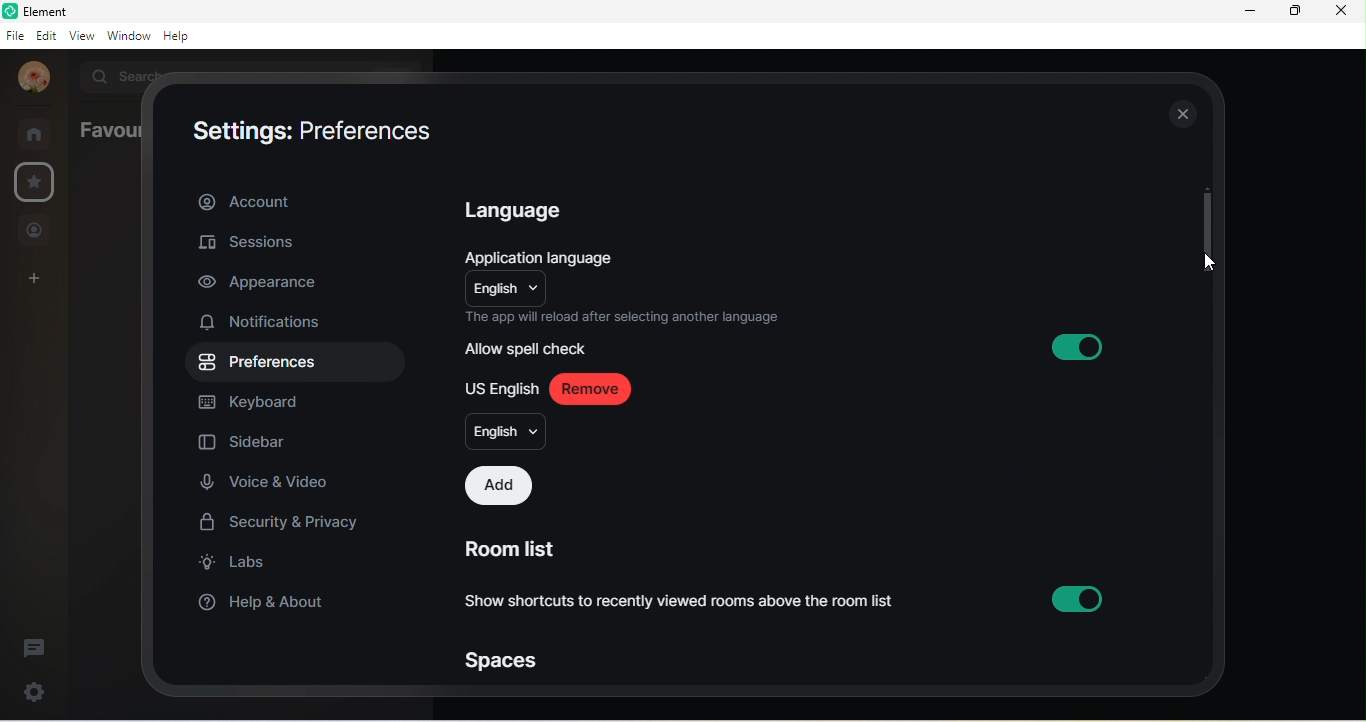  Describe the element at coordinates (597, 389) in the screenshot. I see `remove` at that location.